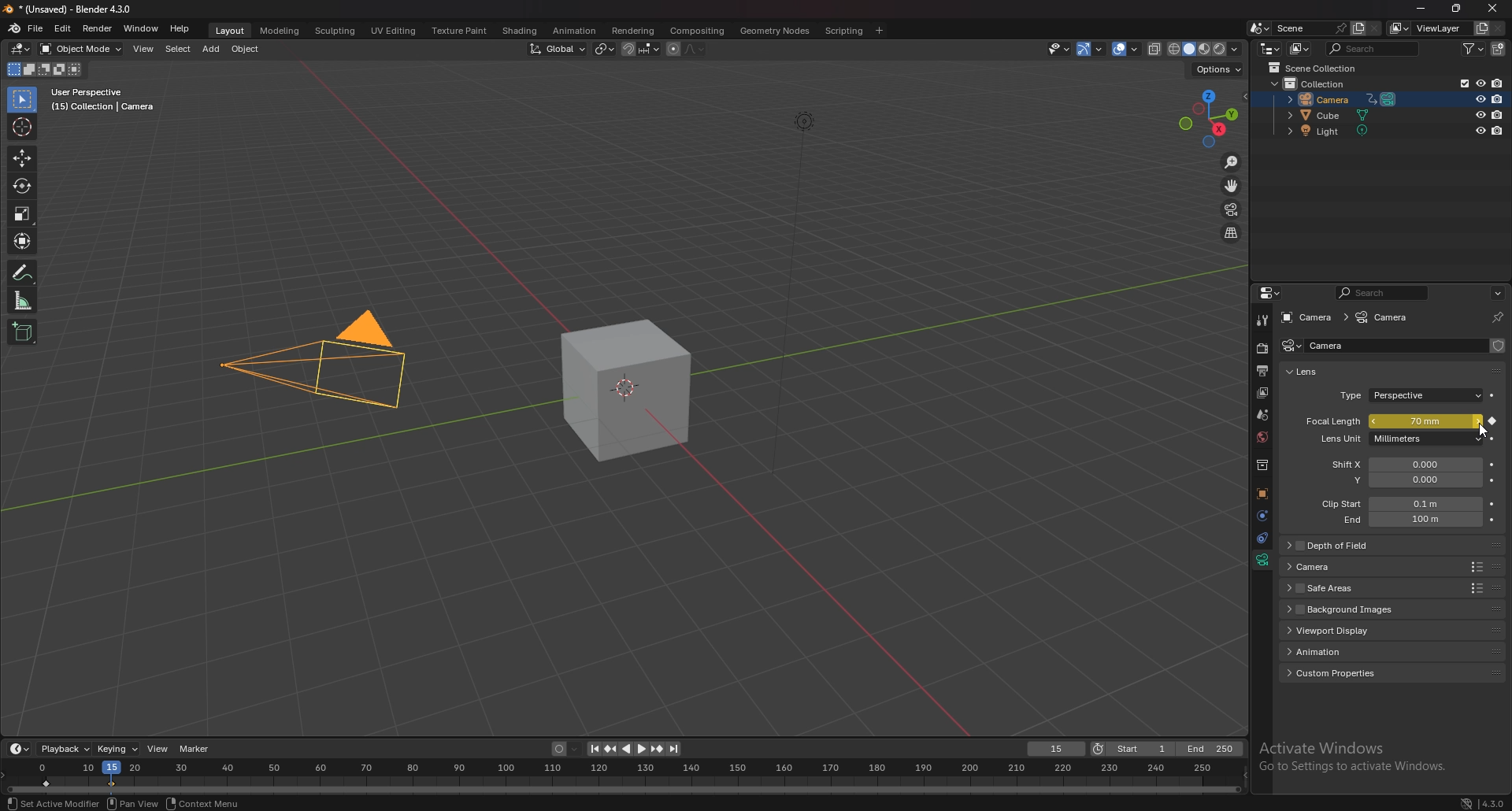 The height and width of the screenshot is (811, 1512). What do you see at coordinates (843, 31) in the screenshot?
I see `scripting` at bounding box center [843, 31].